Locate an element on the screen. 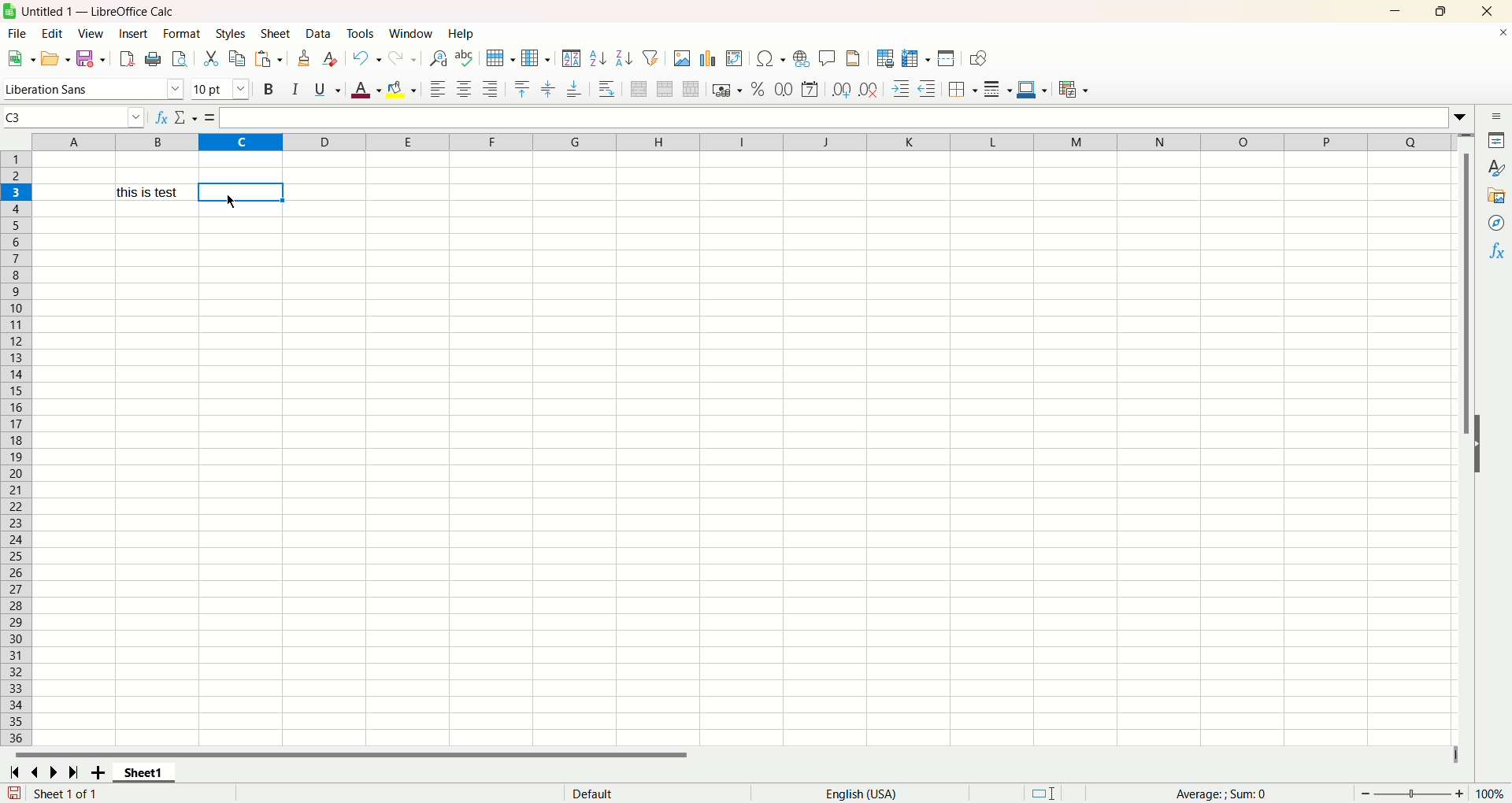 Image resolution: width=1512 pixels, height=803 pixels. align center is located at coordinates (464, 87).